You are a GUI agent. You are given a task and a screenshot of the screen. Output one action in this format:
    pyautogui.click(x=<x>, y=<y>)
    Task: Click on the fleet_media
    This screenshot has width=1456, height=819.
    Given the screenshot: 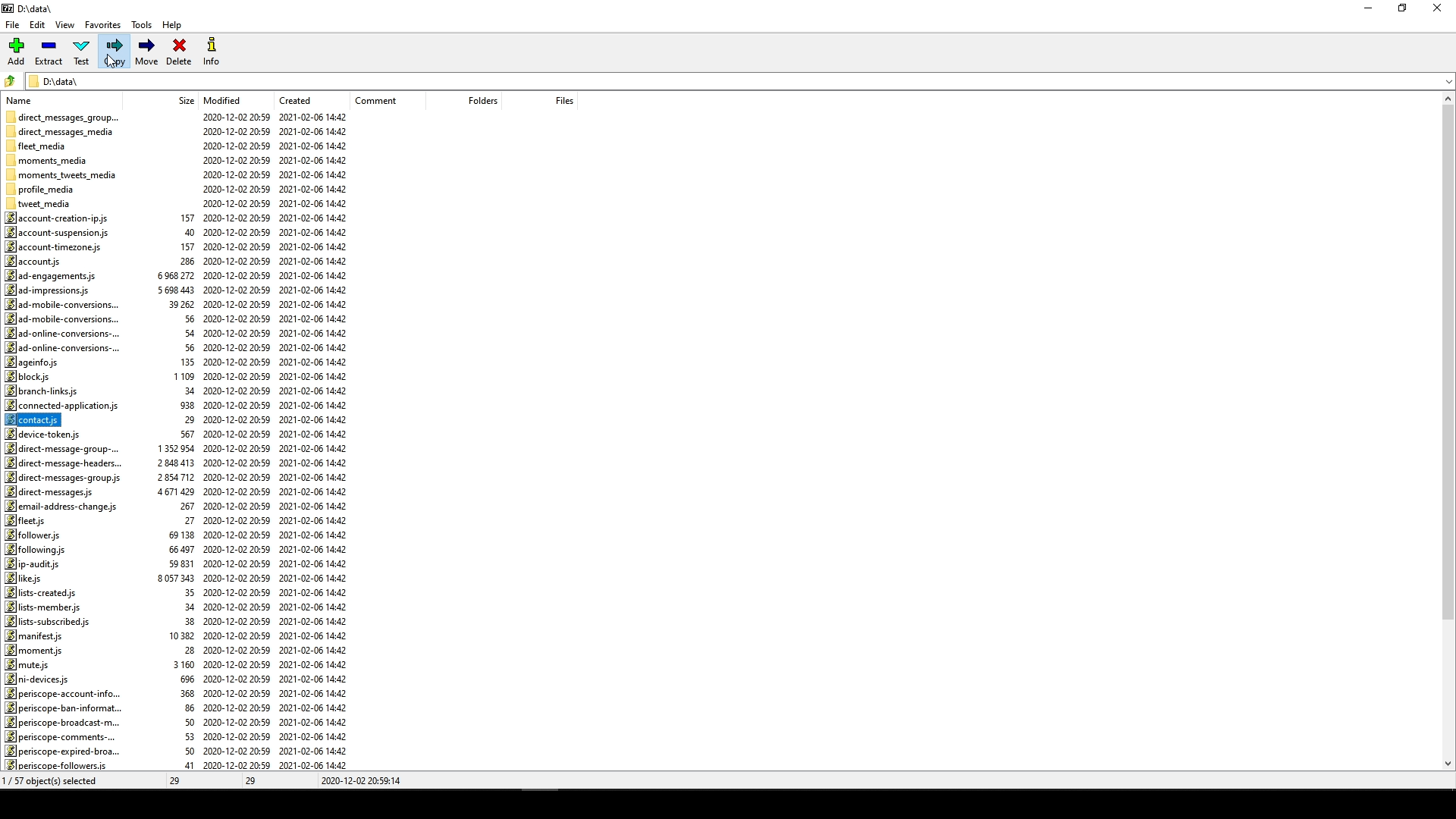 What is the action you would take?
    pyautogui.click(x=39, y=145)
    